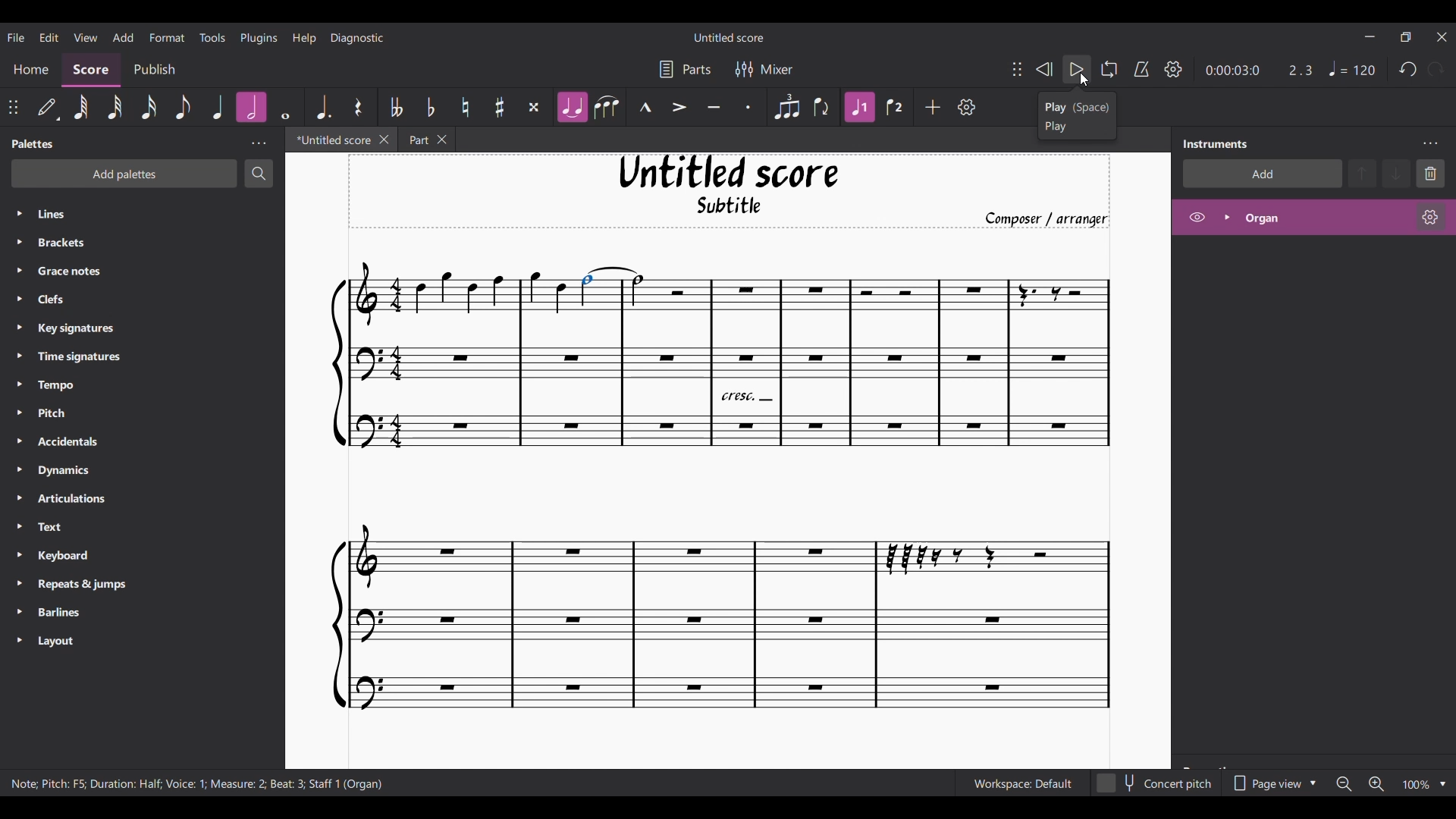  Describe the element at coordinates (16, 37) in the screenshot. I see `File menu` at that location.